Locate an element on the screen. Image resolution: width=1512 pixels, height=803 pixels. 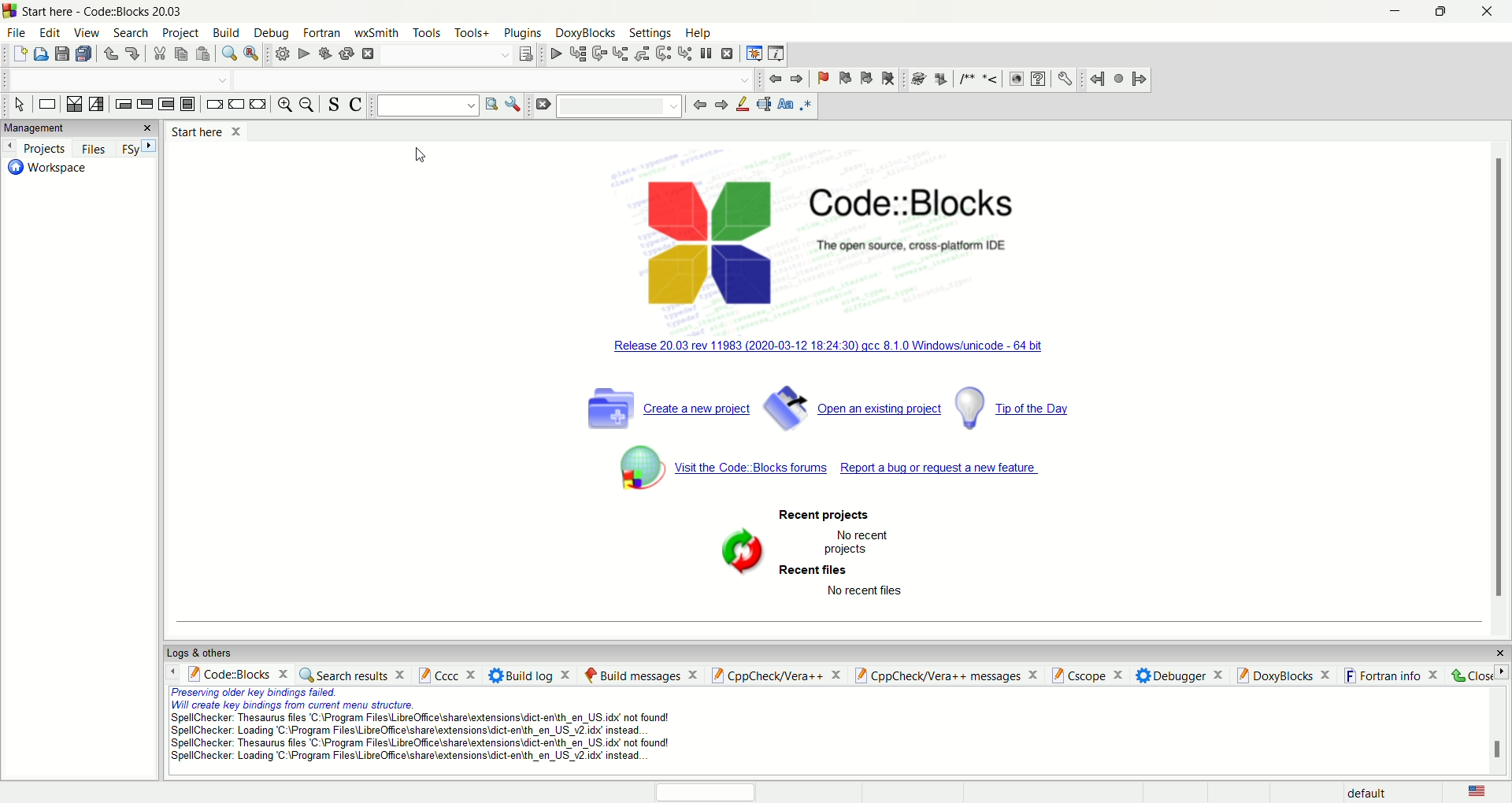
edit is located at coordinates (52, 34).